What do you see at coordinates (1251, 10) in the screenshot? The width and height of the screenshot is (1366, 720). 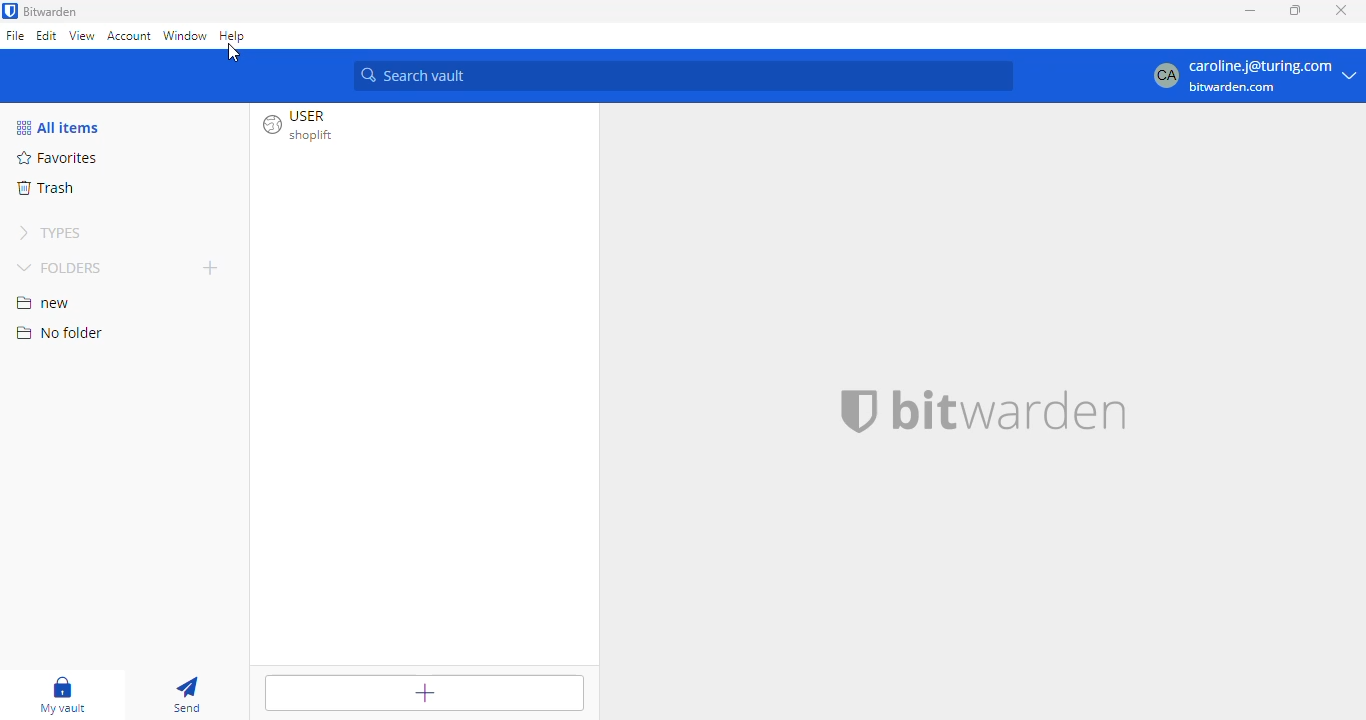 I see `minimize` at bounding box center [1251, 10].